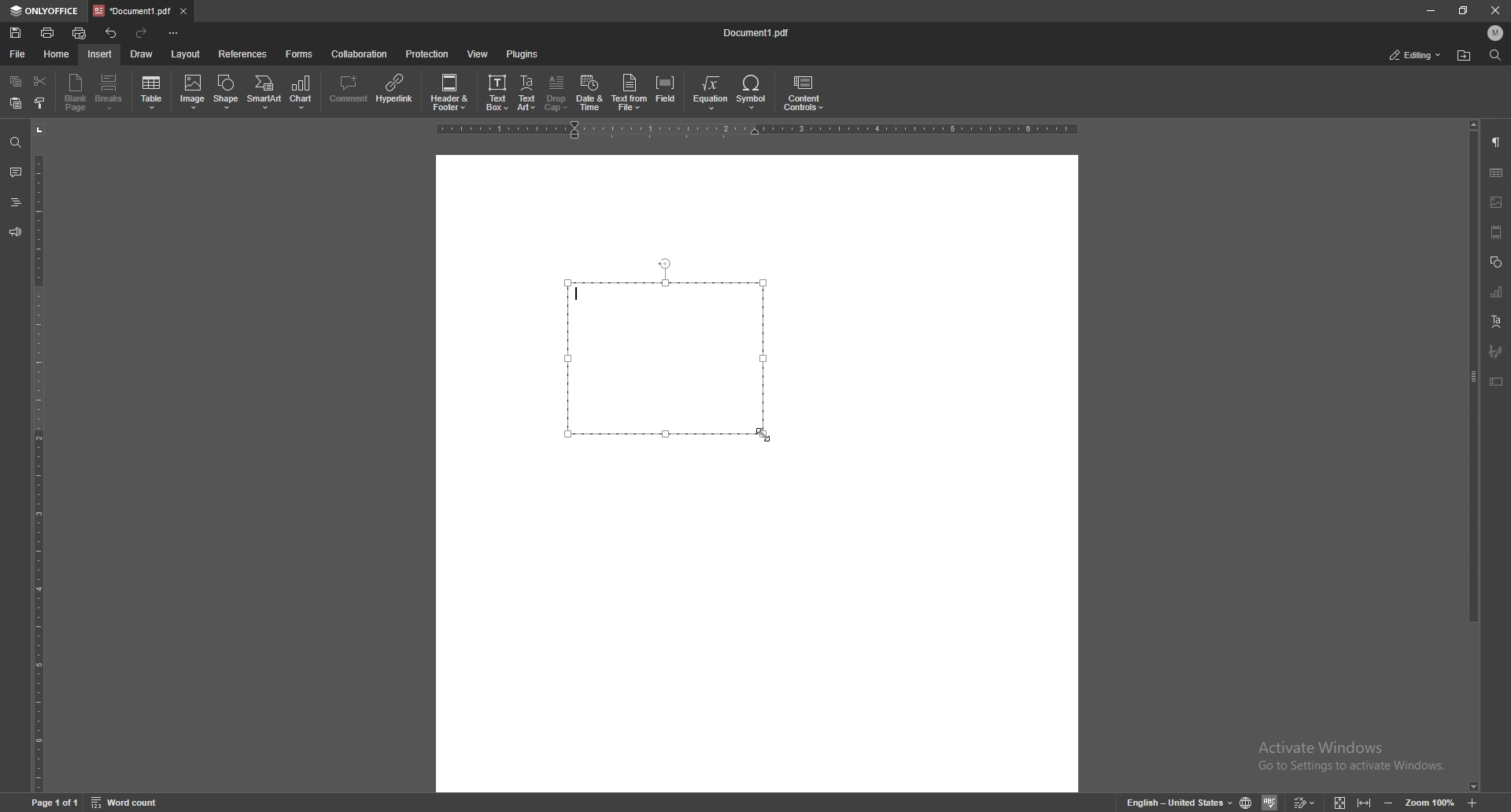 This screenshot has height=812, width=1511. Describe the element at coordinates (15, 231) in the screenshot. I see `feedback` at that location.